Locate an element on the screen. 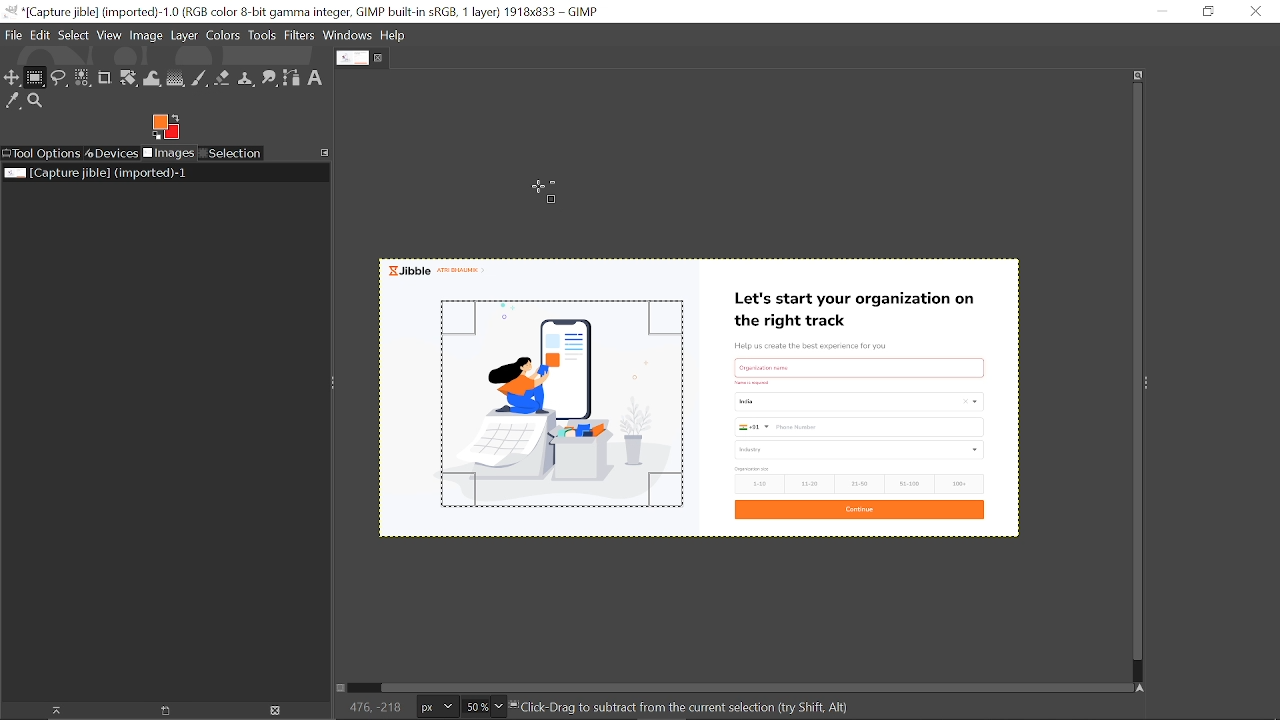 The image size is (1280, 720). Selected part of the image is located at coordinates (545, 418).